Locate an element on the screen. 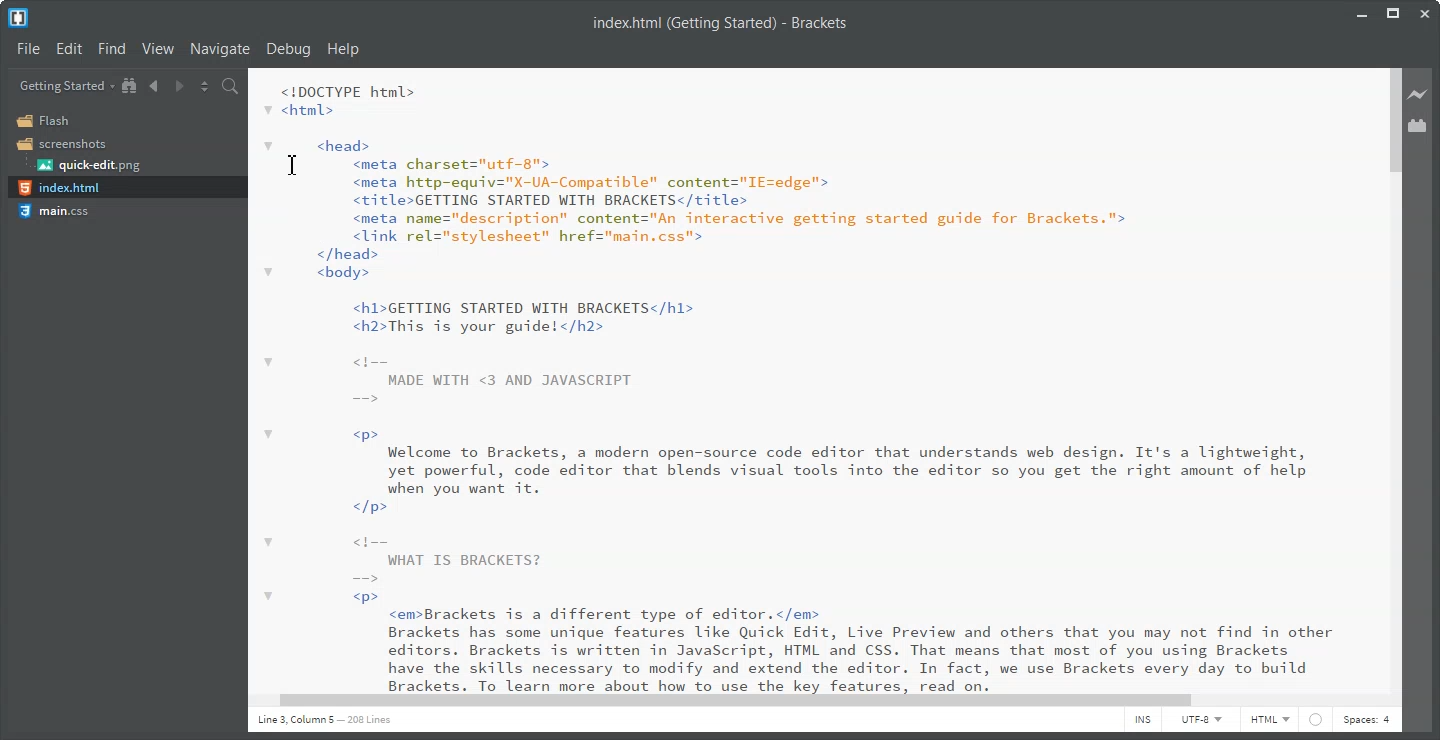 This screenshot has width=1440, height=740. Help is located at coordinates (343, 50).